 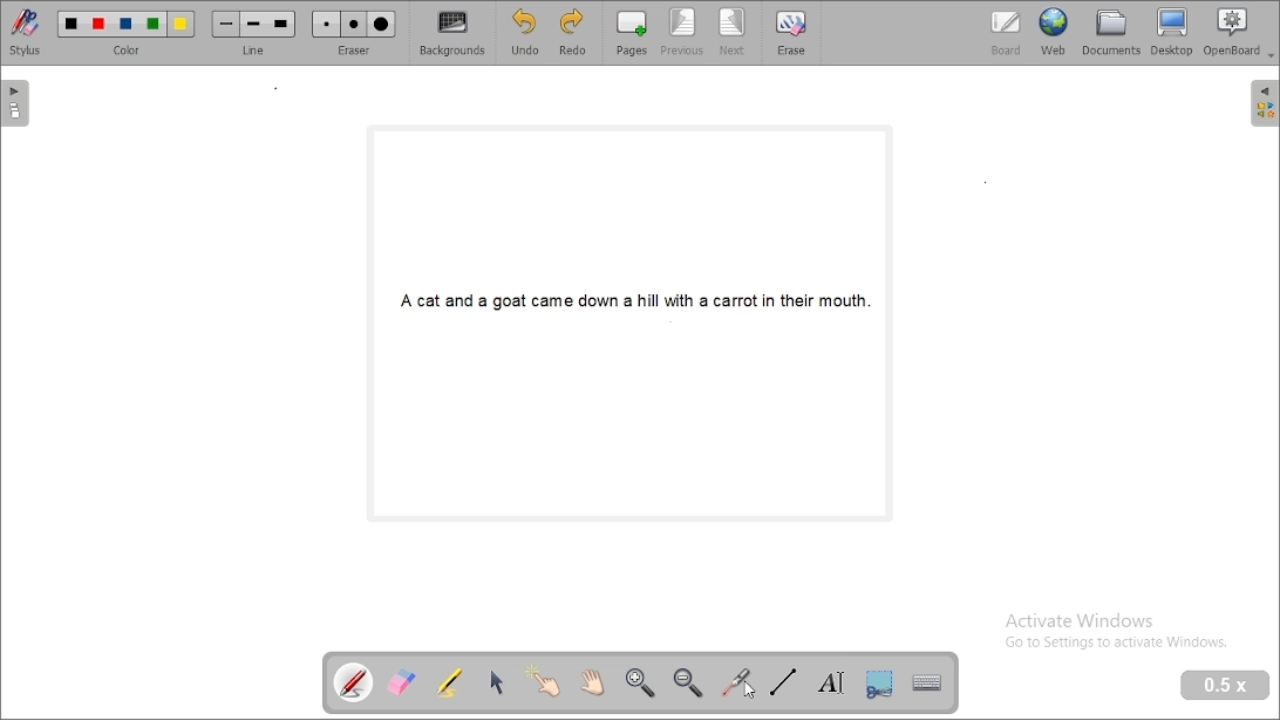 What do you see at coordinates (347, 685) in the screenshot?
I see `annotate document` at bounding box center [347, 685].